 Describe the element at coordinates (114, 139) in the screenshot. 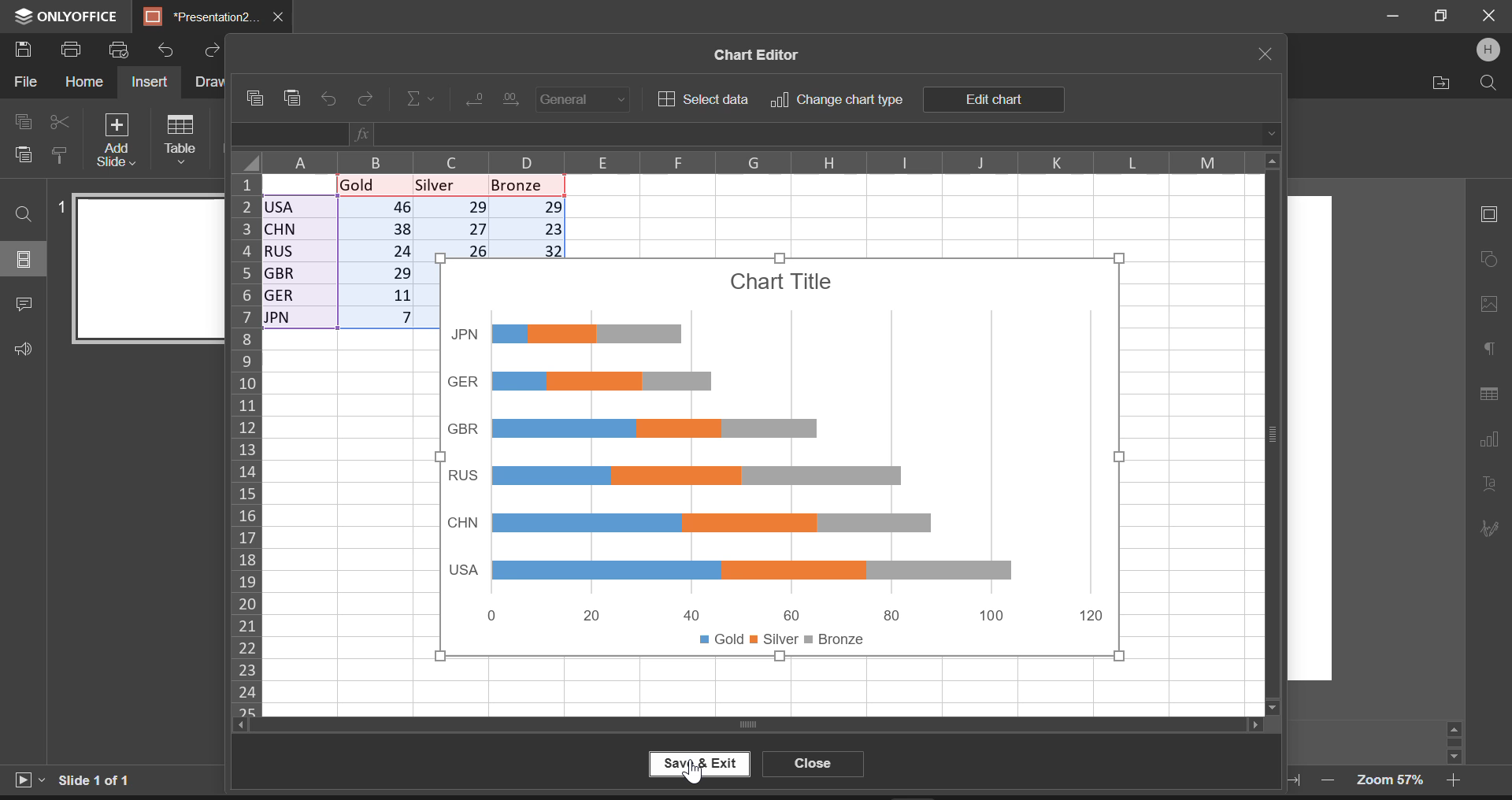

I see `Add Slide` at that location.